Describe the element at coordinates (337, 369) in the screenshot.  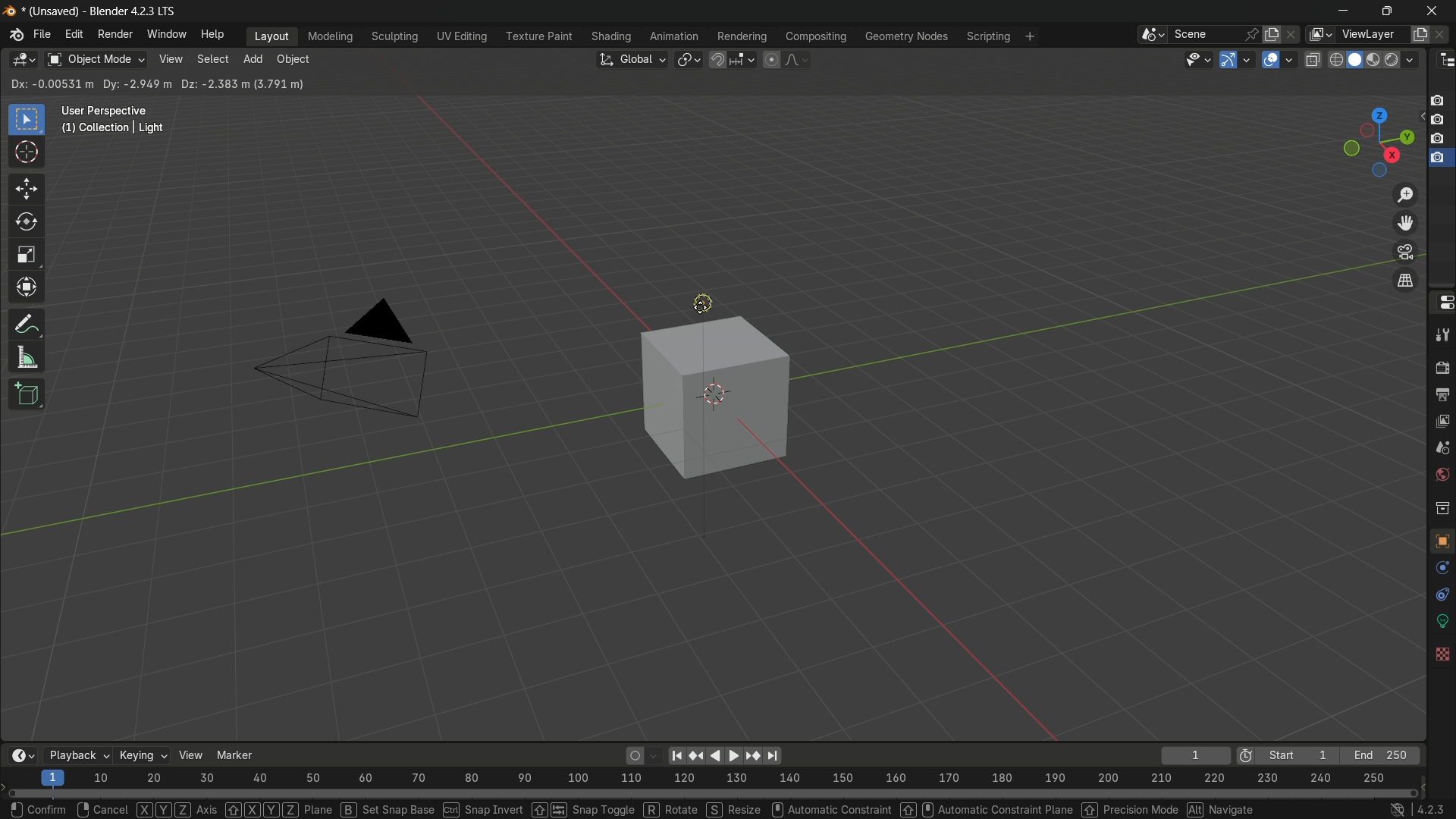
I see `camera` at that location.